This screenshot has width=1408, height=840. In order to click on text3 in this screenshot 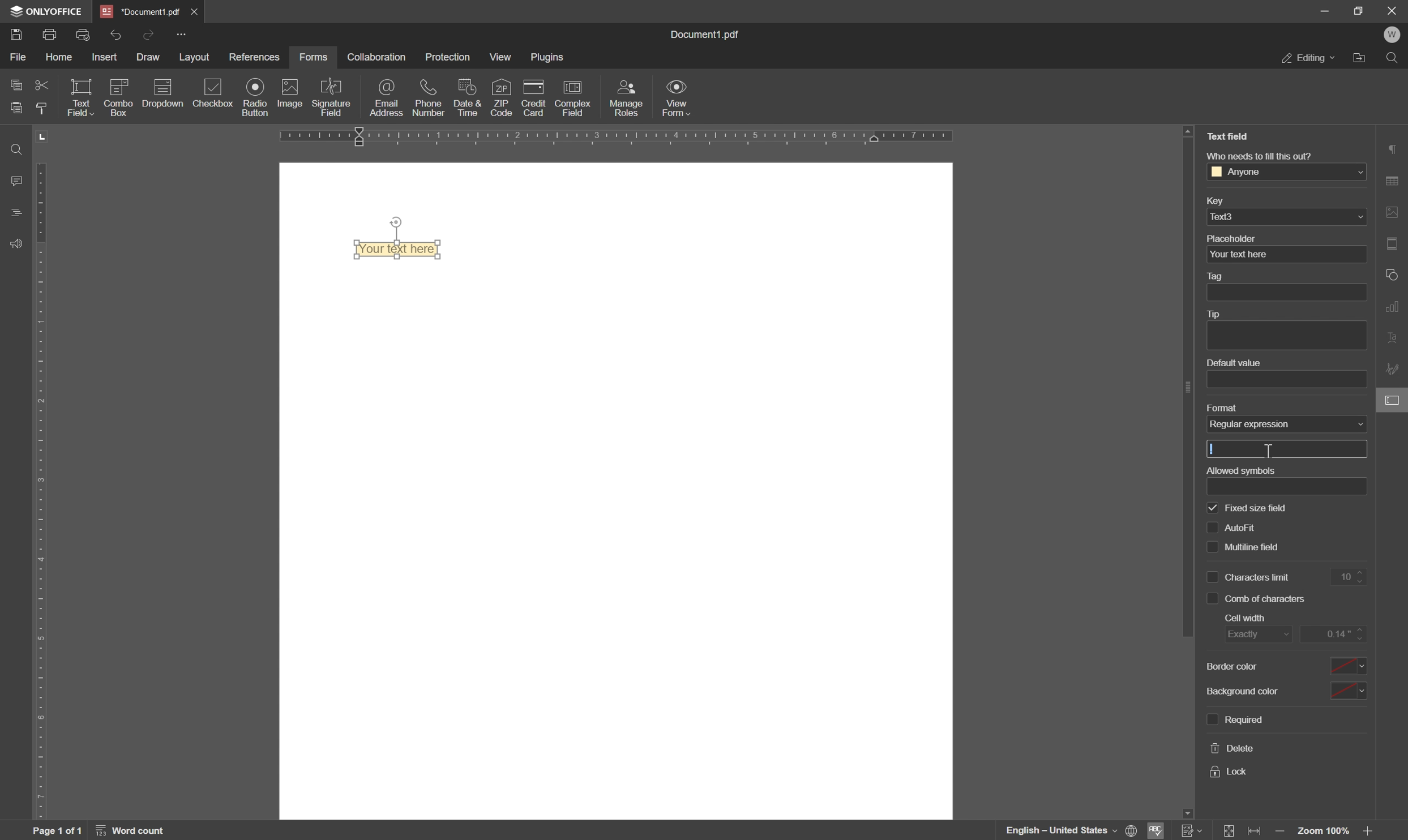, I will do `click(1230, 216)`.